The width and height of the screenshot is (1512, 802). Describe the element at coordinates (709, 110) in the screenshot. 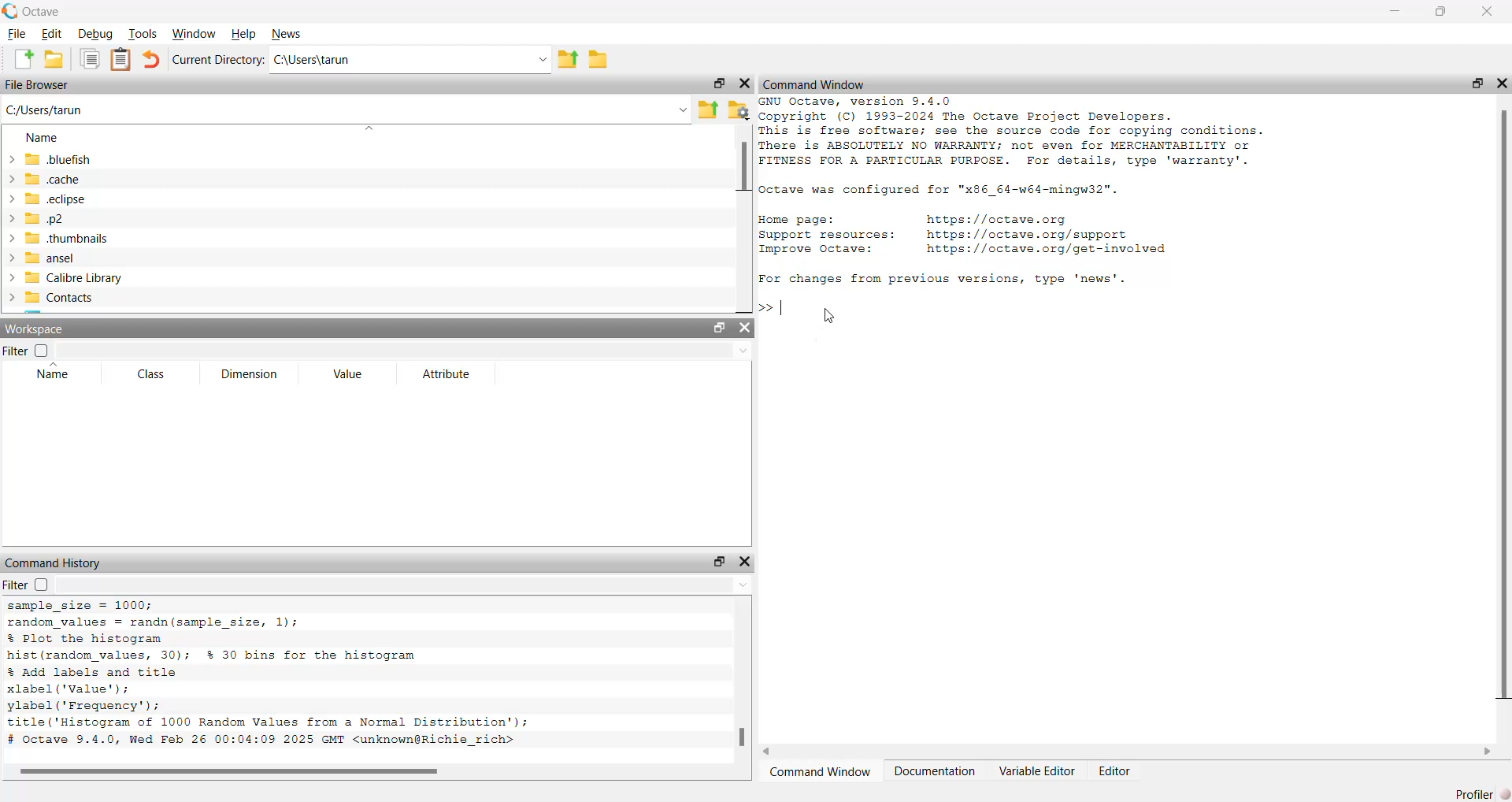

I see `Previous Folder` at that location.